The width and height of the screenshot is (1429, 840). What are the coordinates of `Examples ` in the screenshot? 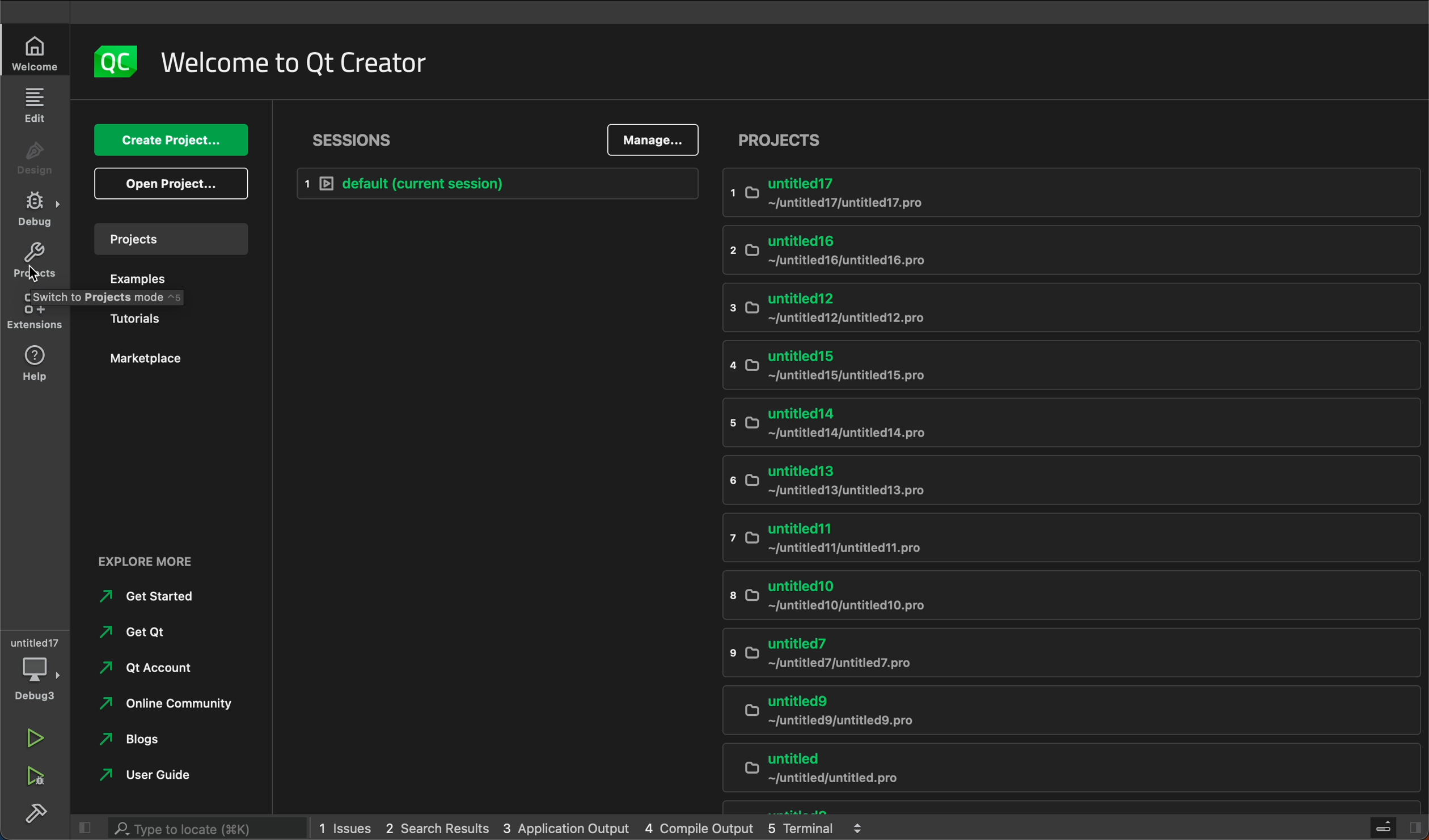 It's located at (163, 279).